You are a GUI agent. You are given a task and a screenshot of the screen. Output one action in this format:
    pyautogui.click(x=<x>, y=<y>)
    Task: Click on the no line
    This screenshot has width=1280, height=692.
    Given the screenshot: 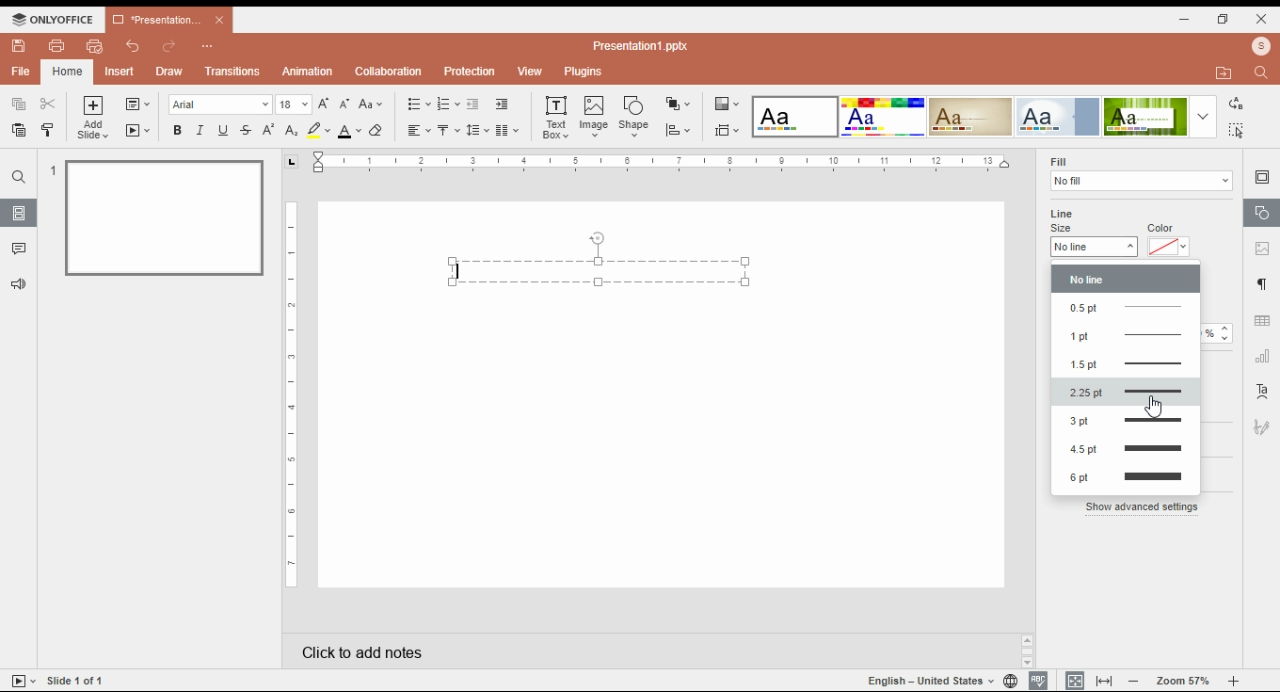 What is the action you would take?
    pyautogui.click(x=1126, y=280)
    